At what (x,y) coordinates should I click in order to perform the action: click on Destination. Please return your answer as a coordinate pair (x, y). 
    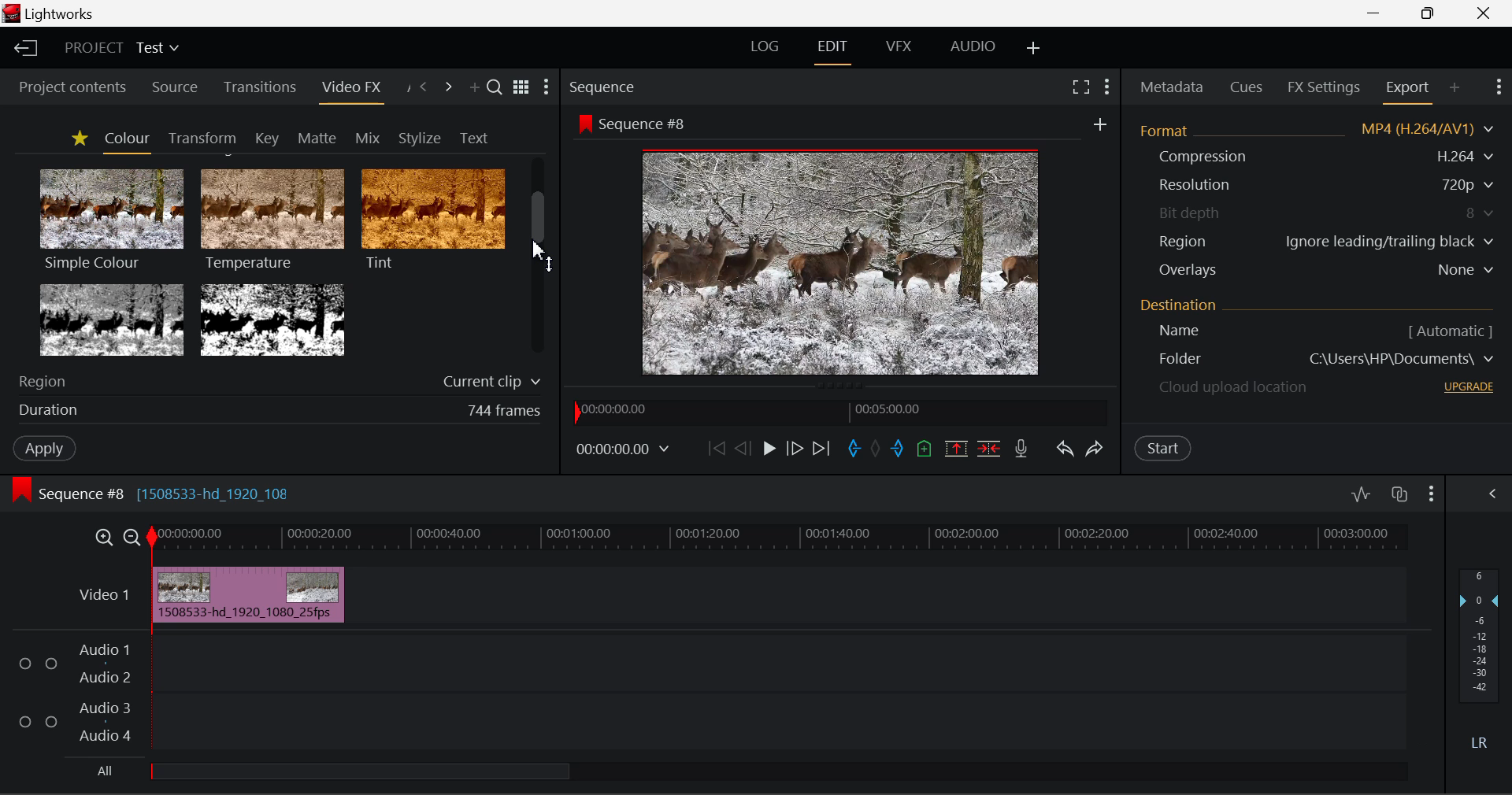
    Looking at the image, I should click on (1180, 304).